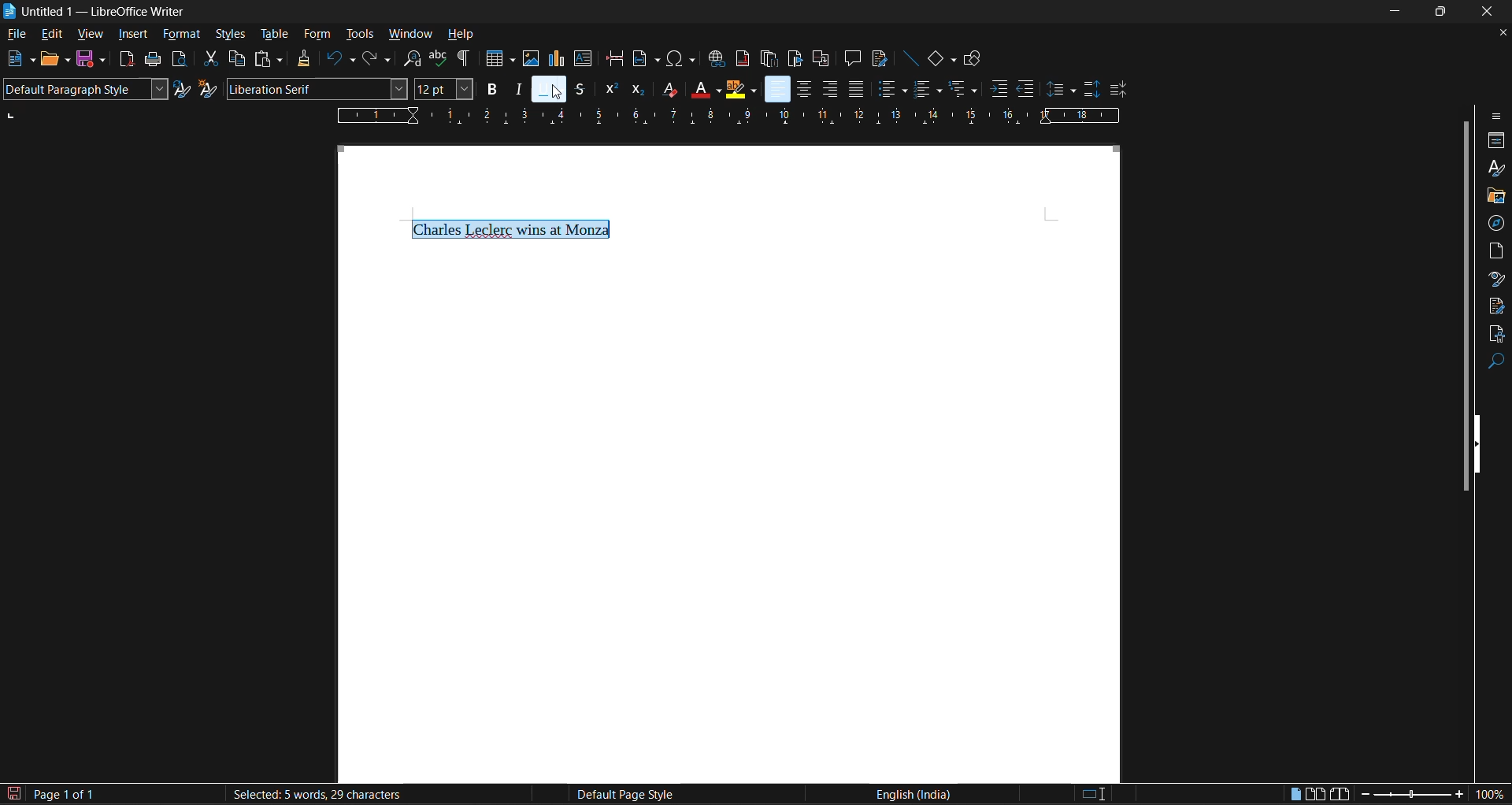 The height and width of the screenshot is (805, 1512). What do you see at coordinates (821, 60) in the screenshot?
I see `insert cross reference` at bounding box center [821, 60].